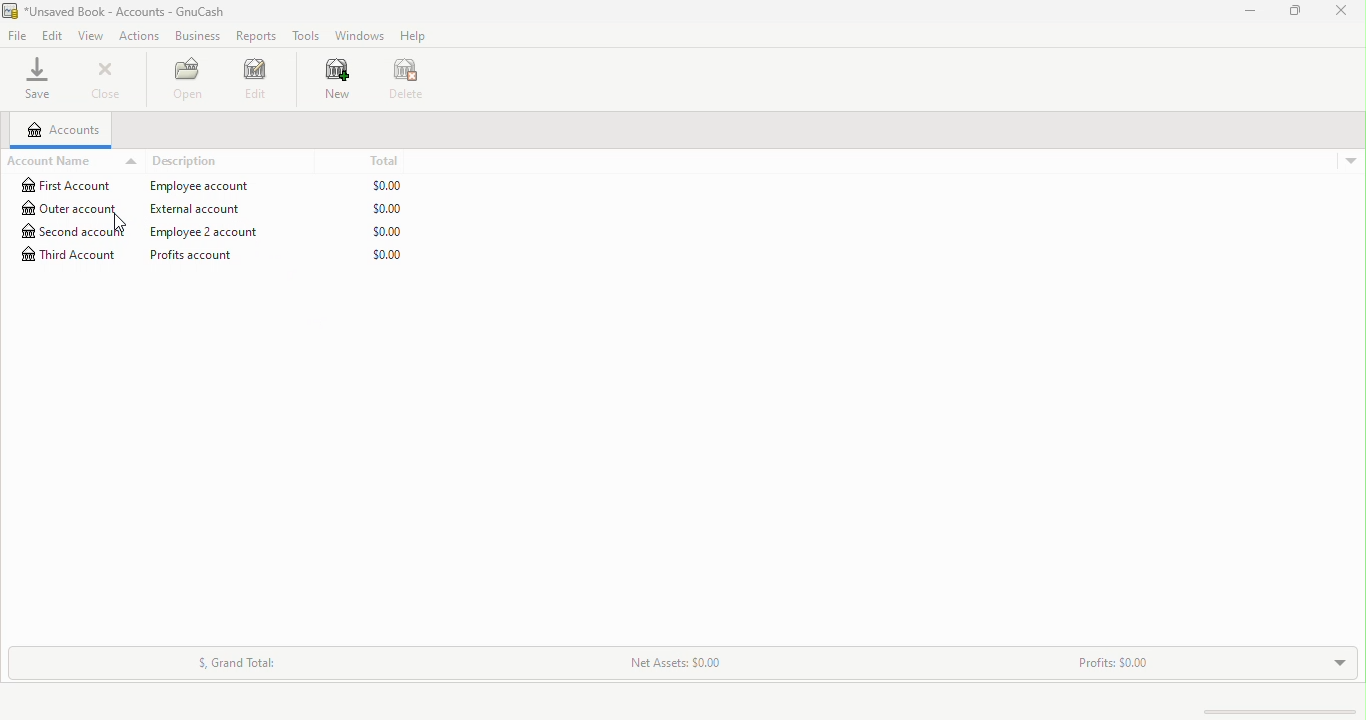  I want to click on Total, so click(392, 158).